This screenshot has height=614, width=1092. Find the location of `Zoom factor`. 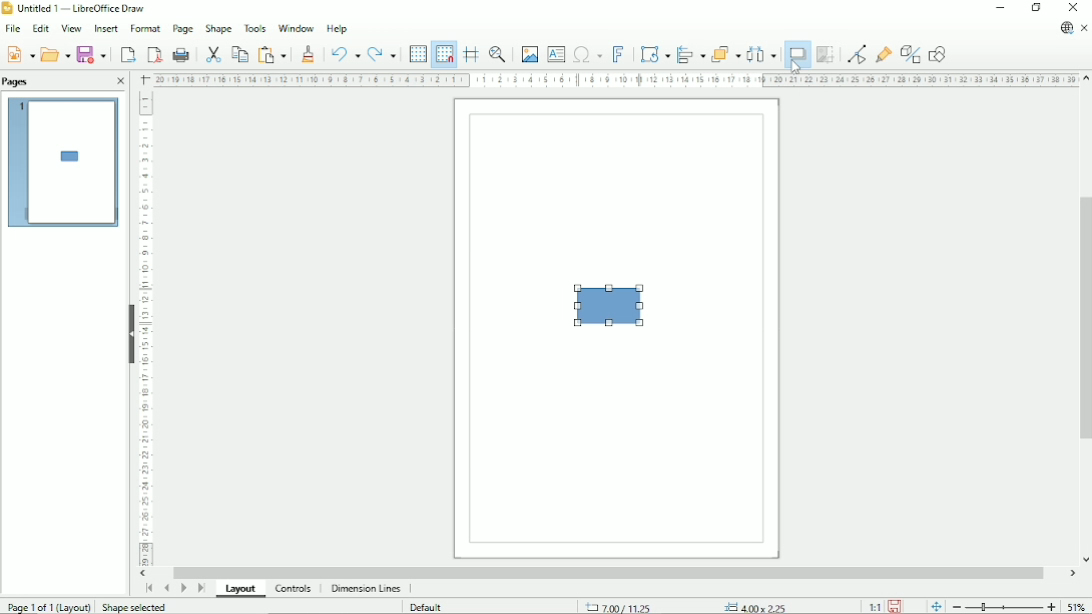

Zoom factor is located at coordinates (1079, 608).